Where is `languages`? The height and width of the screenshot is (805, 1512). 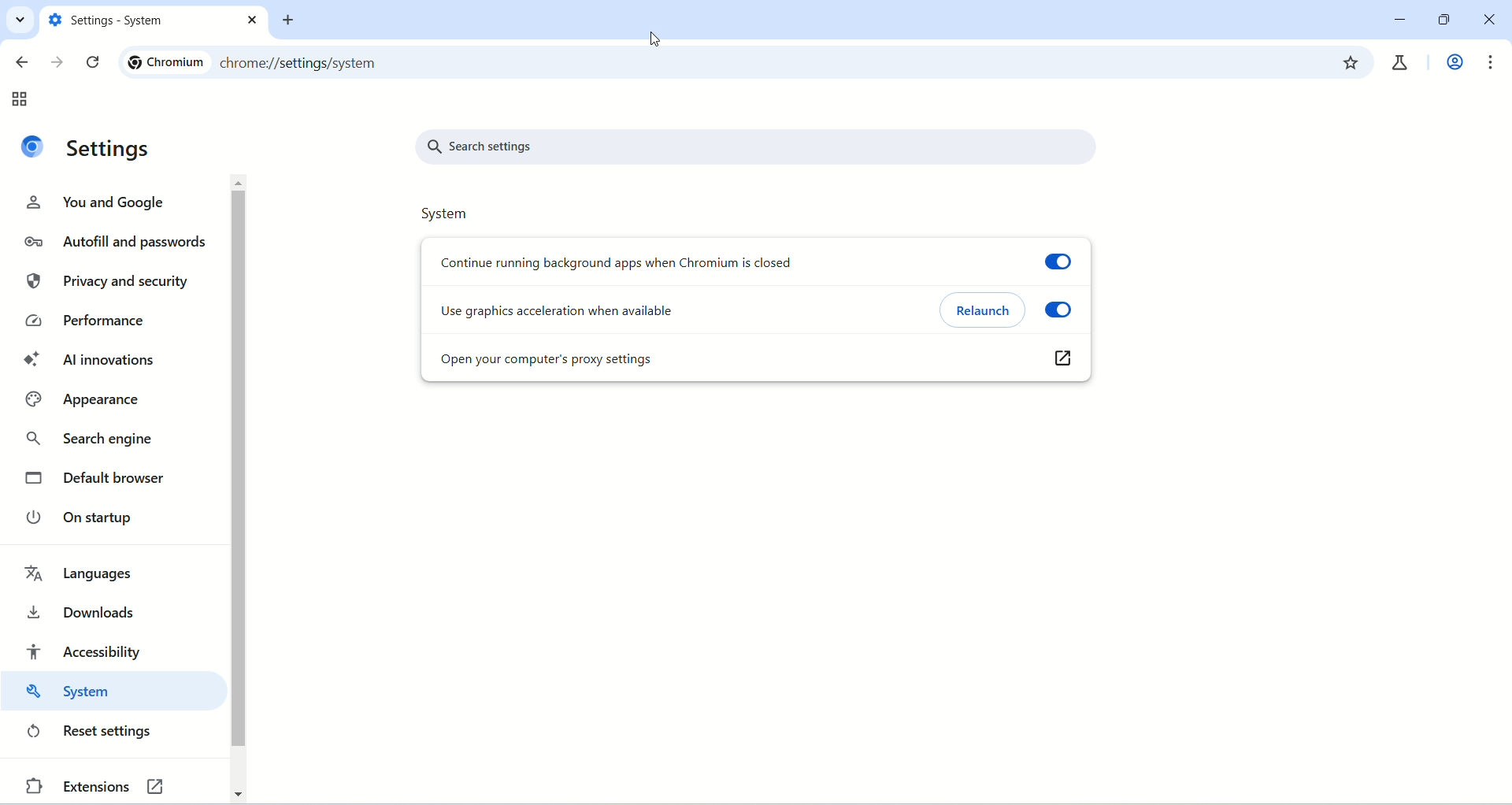 languages is located at coordinates (81, 574).